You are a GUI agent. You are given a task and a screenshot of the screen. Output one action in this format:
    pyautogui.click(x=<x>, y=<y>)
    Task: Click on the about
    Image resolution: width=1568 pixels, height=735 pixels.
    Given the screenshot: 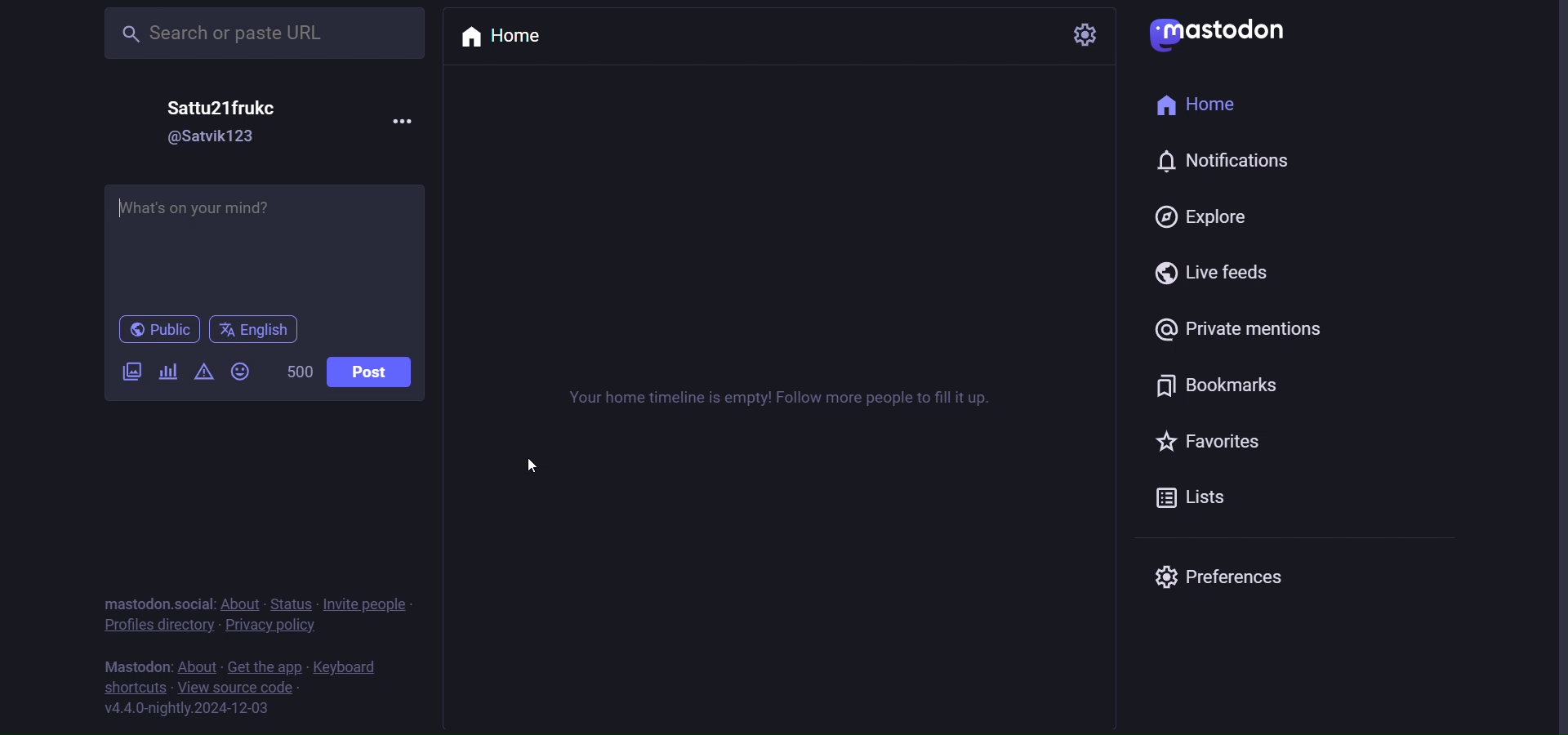 What is the action you would take?
    pyautogui.click(x=243, y=601)
    